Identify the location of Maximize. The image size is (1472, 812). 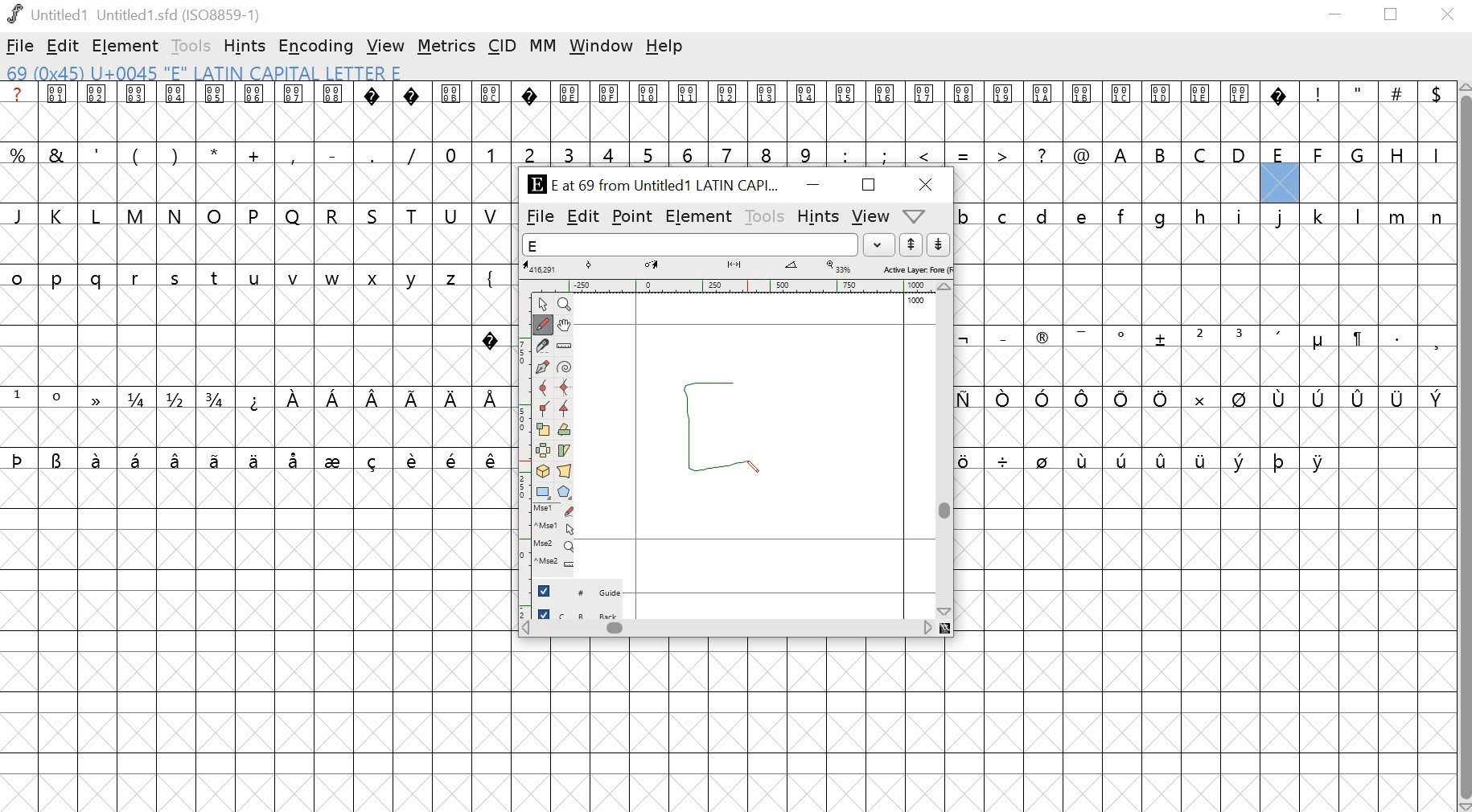
(866, 184).